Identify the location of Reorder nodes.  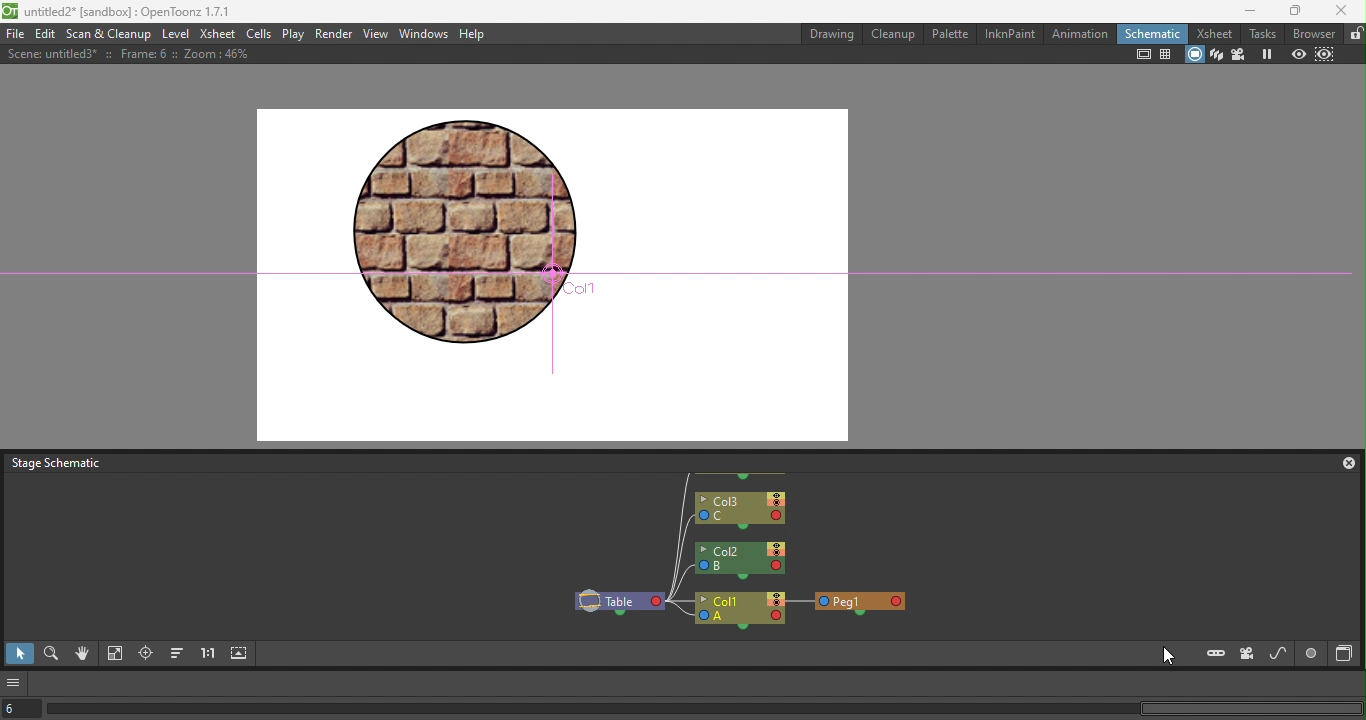
(176, 655).